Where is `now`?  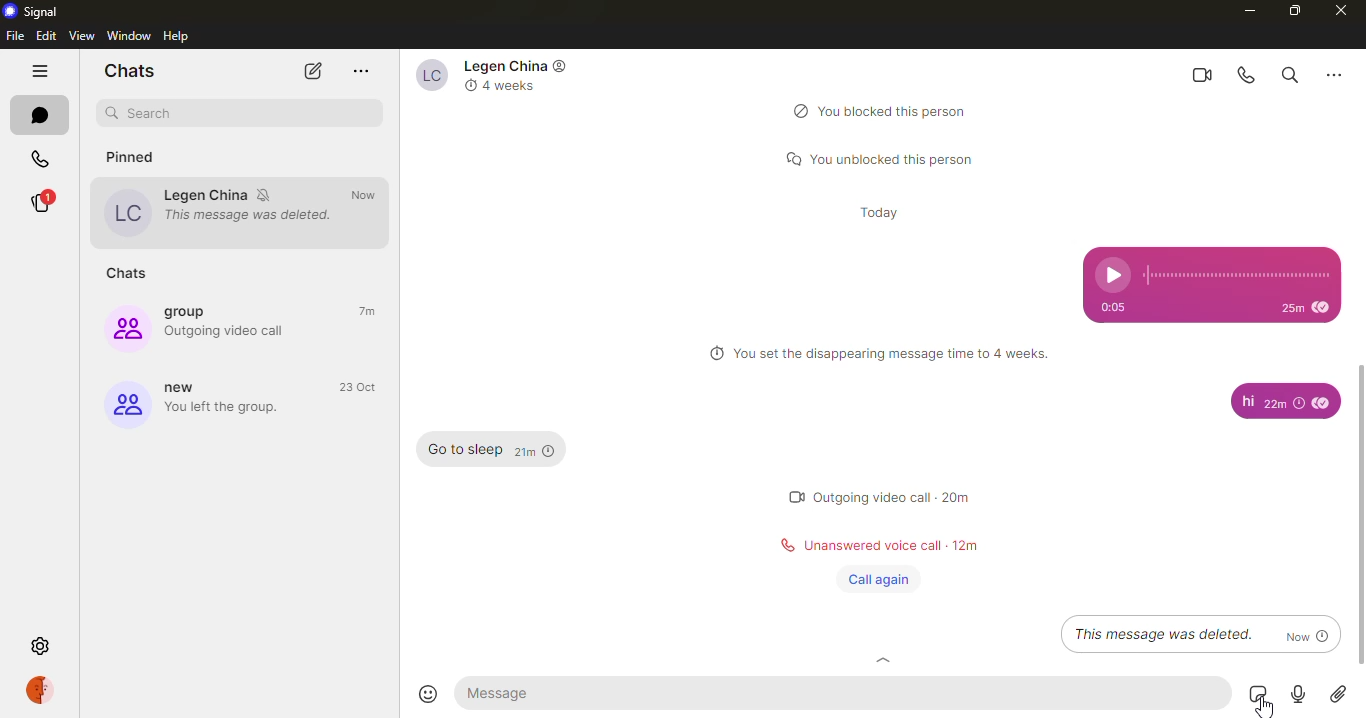
now is located at coordinates (369, 195).